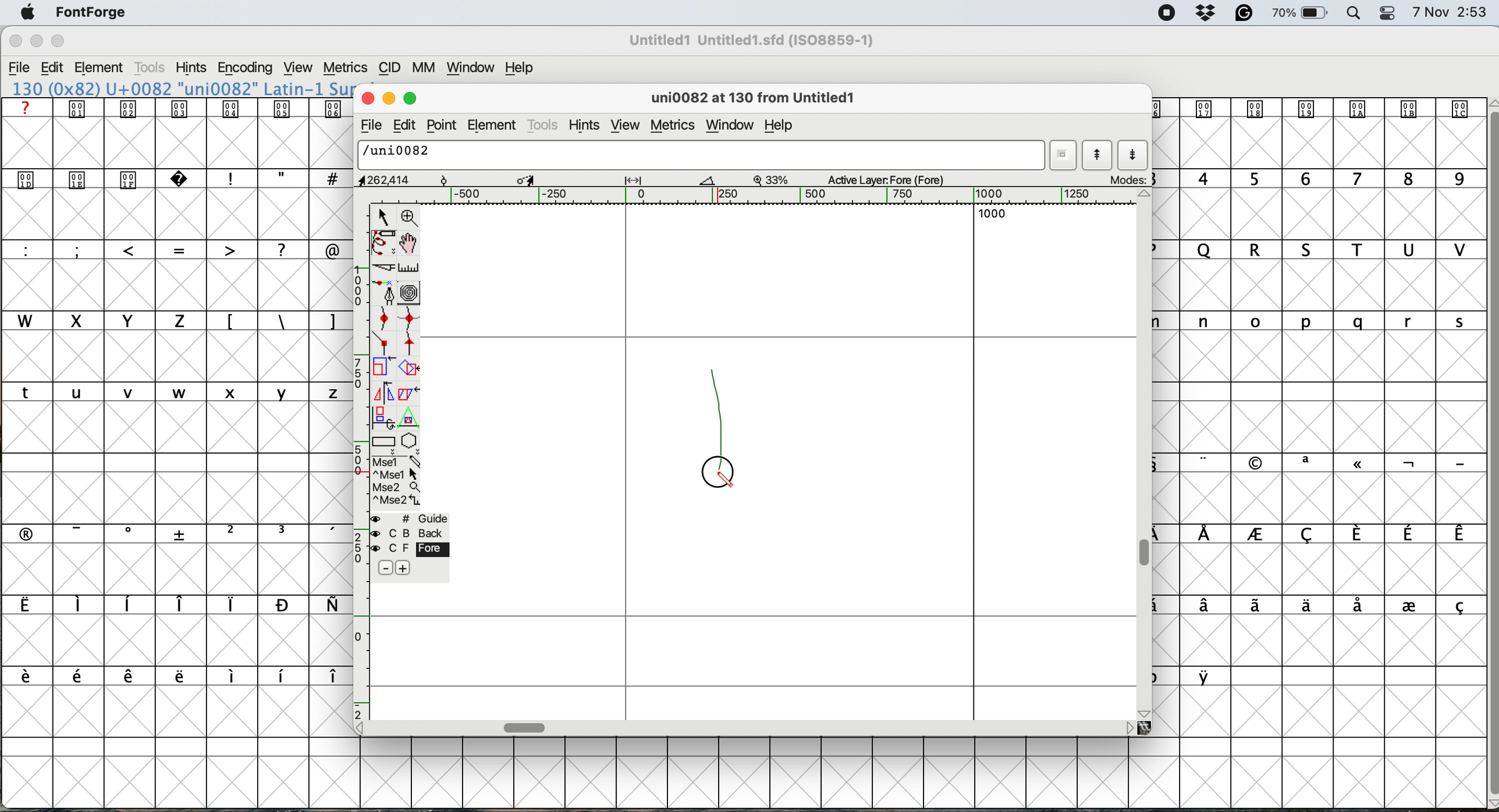 Image resolution: width=1499 pixels, height=812 pixels. I want to click on fore, so click(408, 550).